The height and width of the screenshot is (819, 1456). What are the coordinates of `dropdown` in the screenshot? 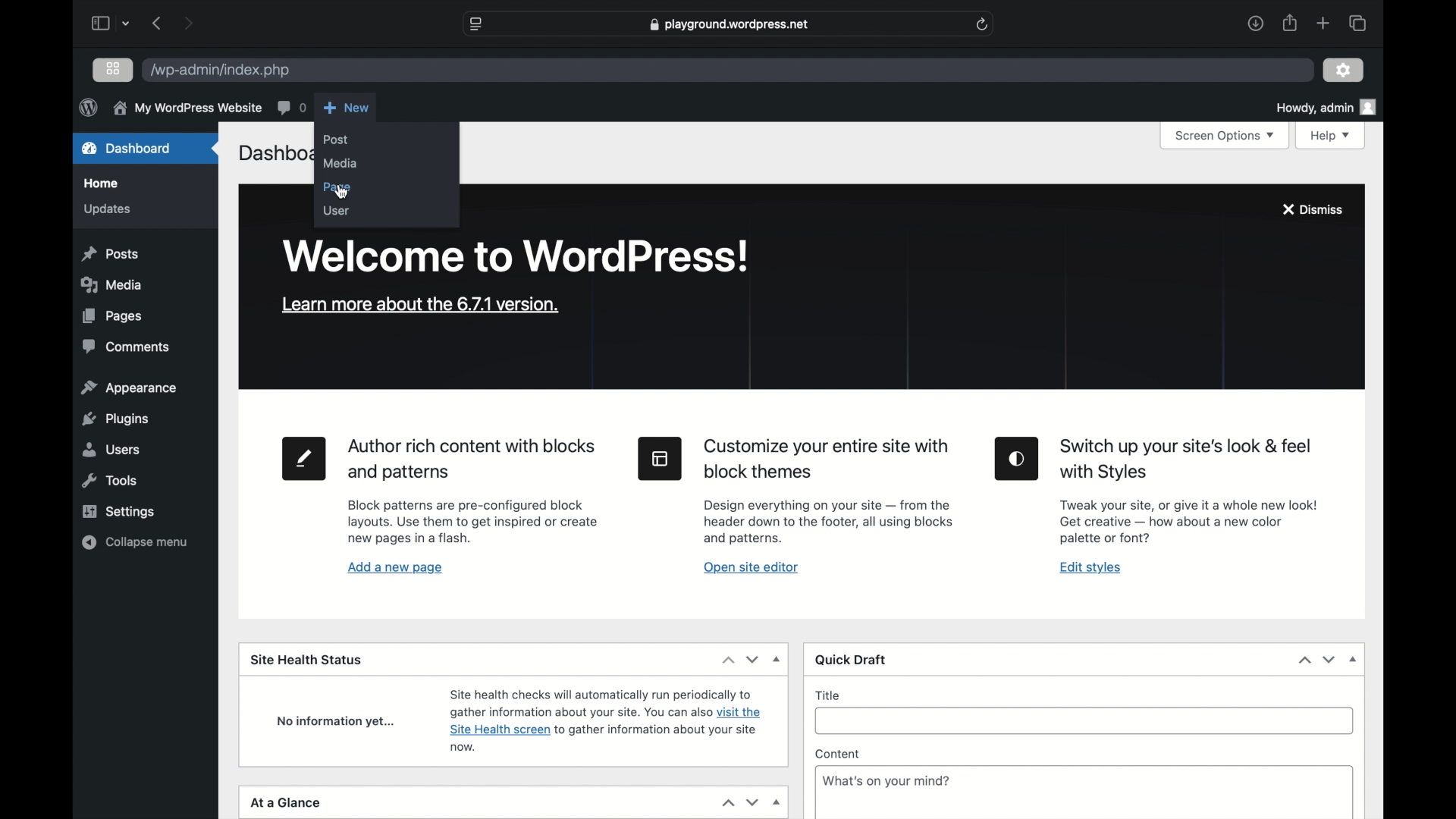 It's located at (778, 660).